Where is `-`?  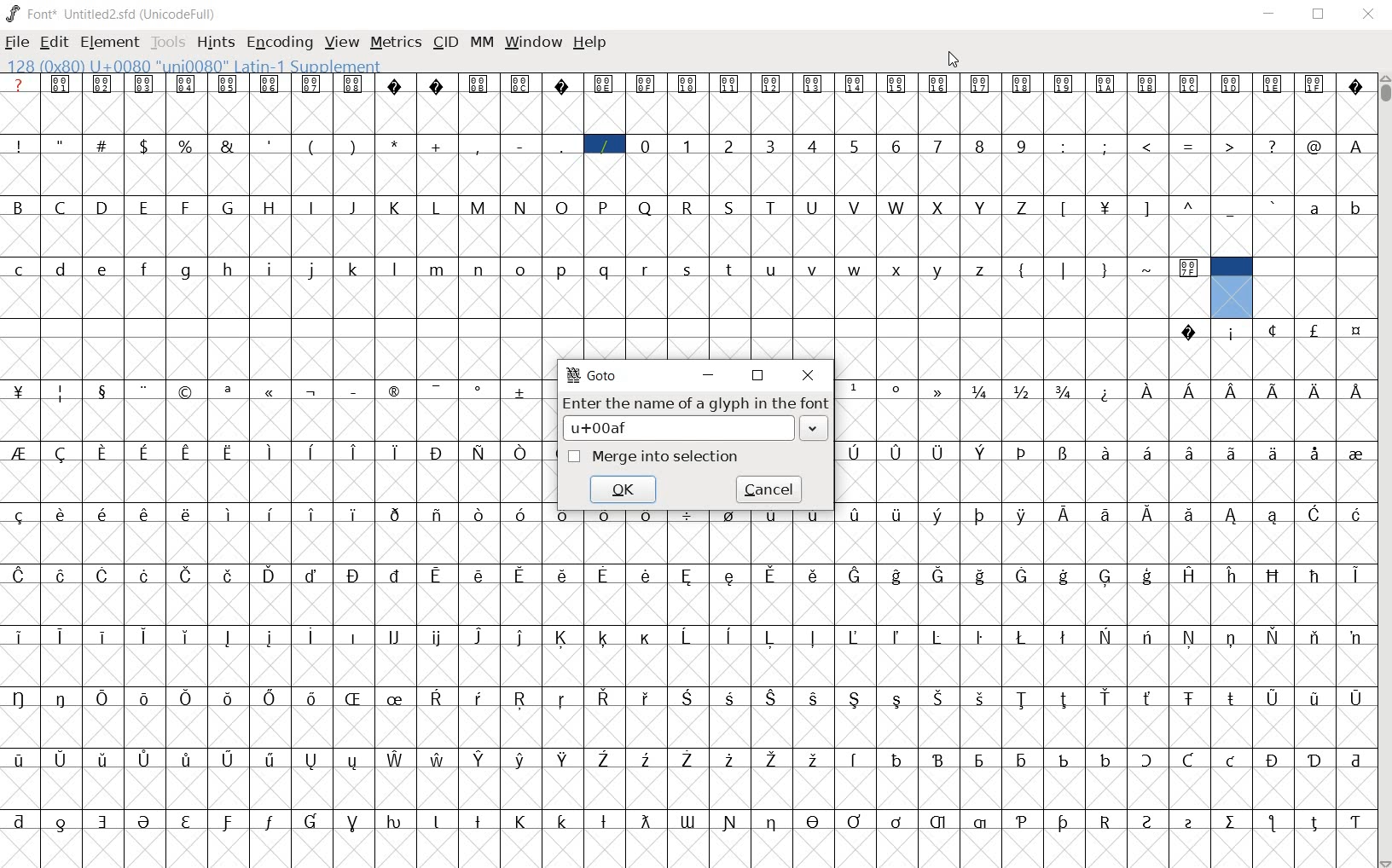
- is located at coordinates (519, 145).